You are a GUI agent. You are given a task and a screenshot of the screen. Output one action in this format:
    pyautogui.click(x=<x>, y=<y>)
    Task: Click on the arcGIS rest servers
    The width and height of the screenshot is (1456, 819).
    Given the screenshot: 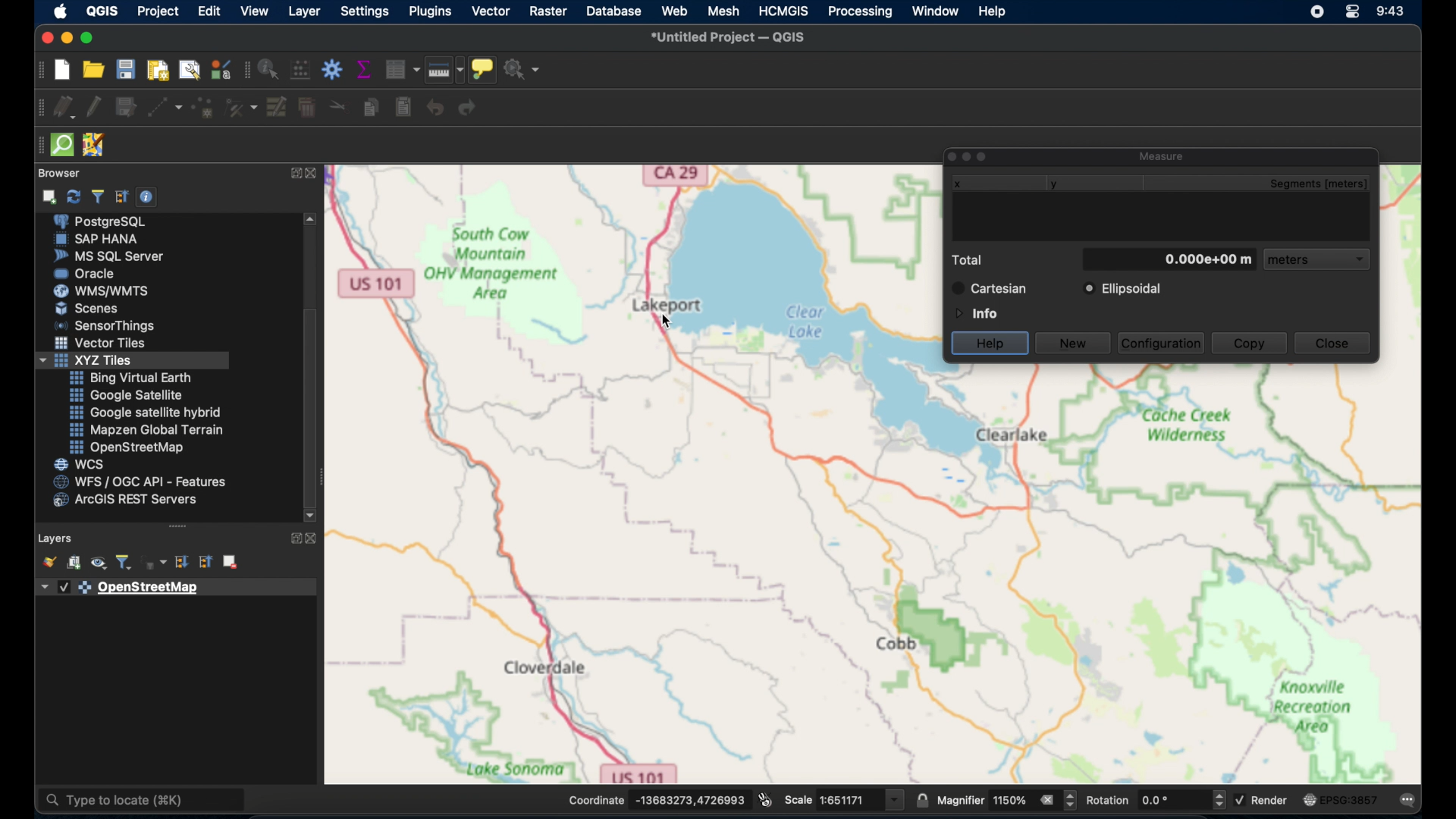 What is the action you would take?
    pyautogui.click(x=129, y=502)
    